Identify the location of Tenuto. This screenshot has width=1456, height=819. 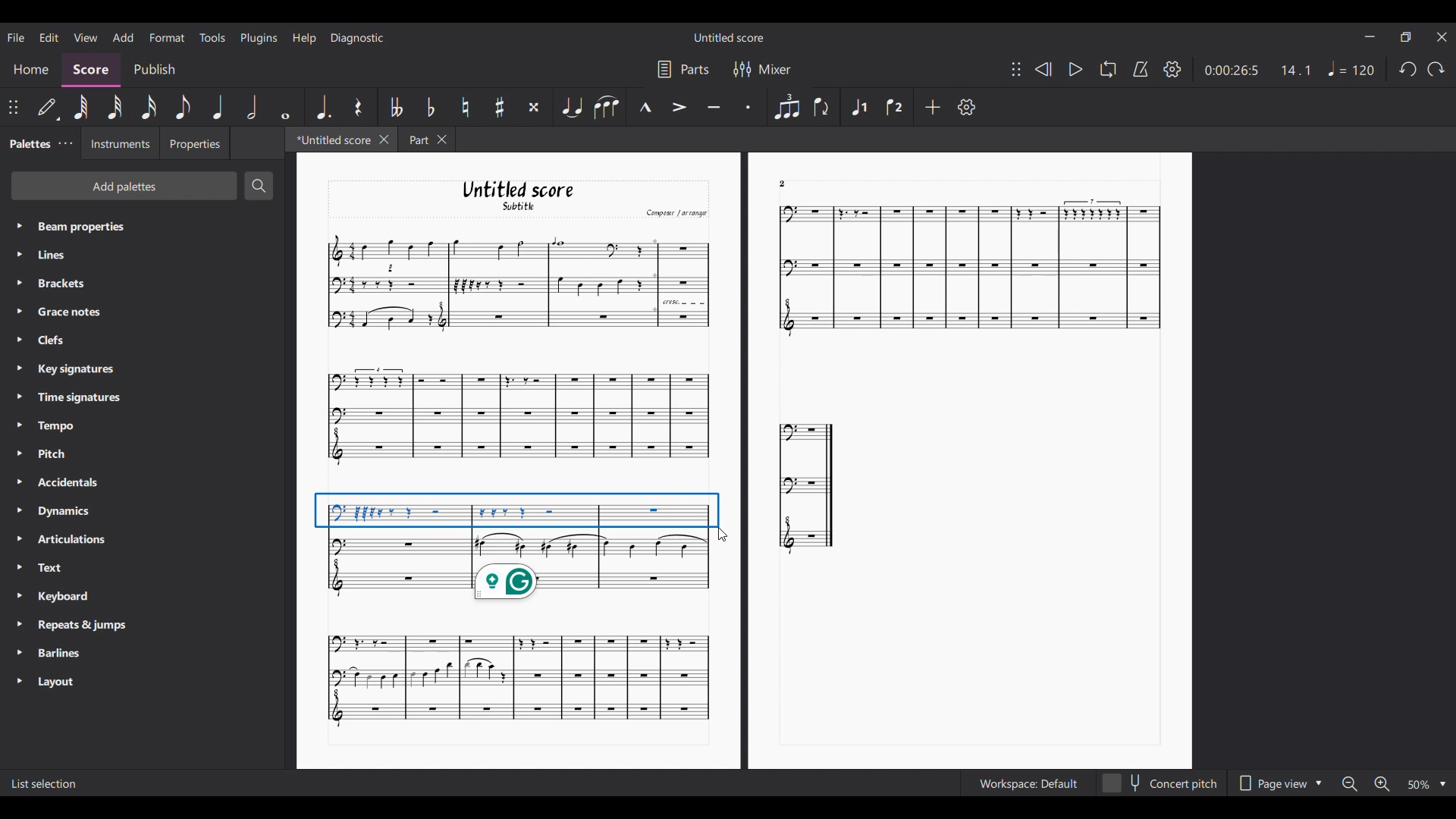
(713, 108).